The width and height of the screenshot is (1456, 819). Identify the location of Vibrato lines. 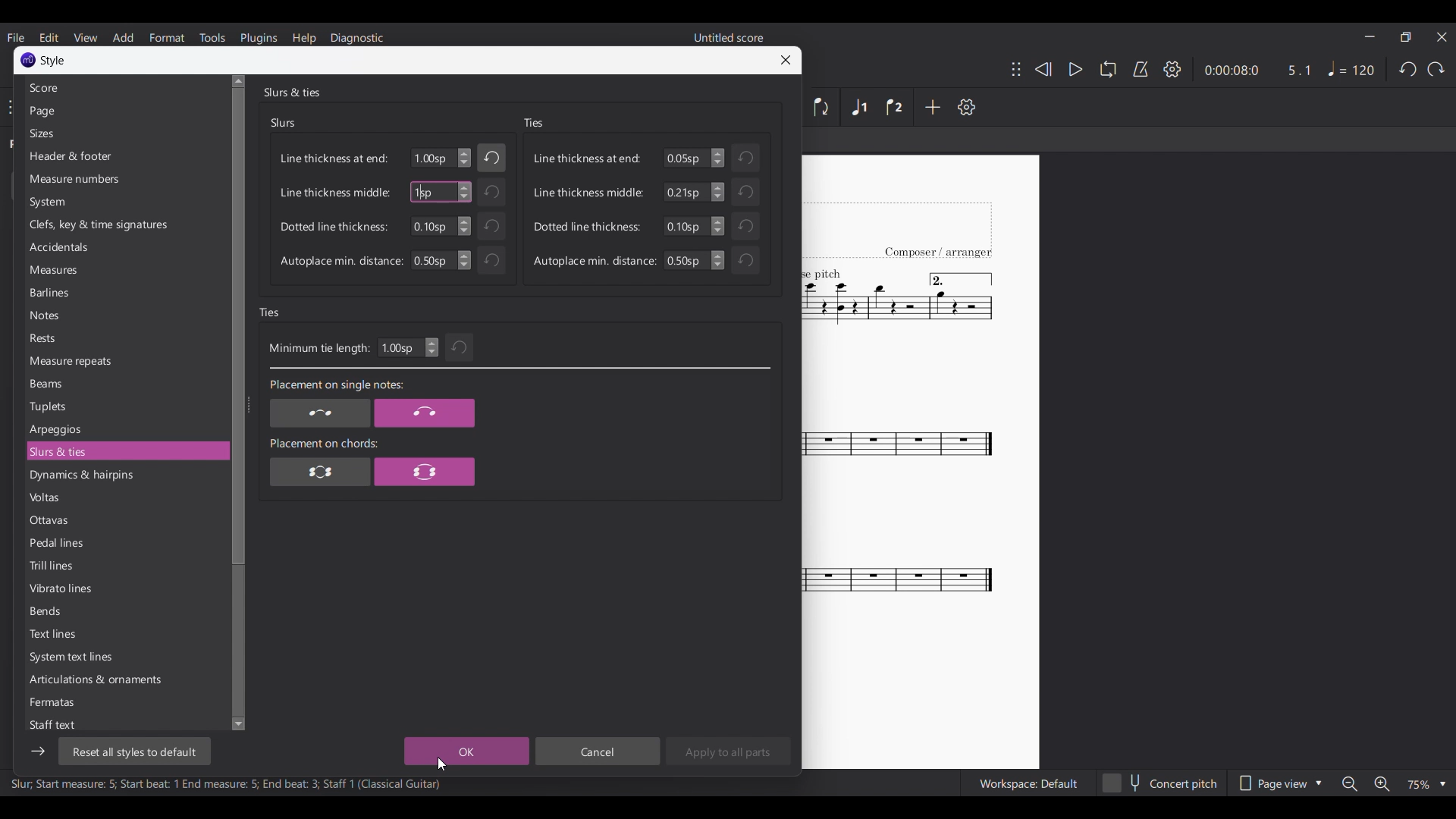
(125, 588).